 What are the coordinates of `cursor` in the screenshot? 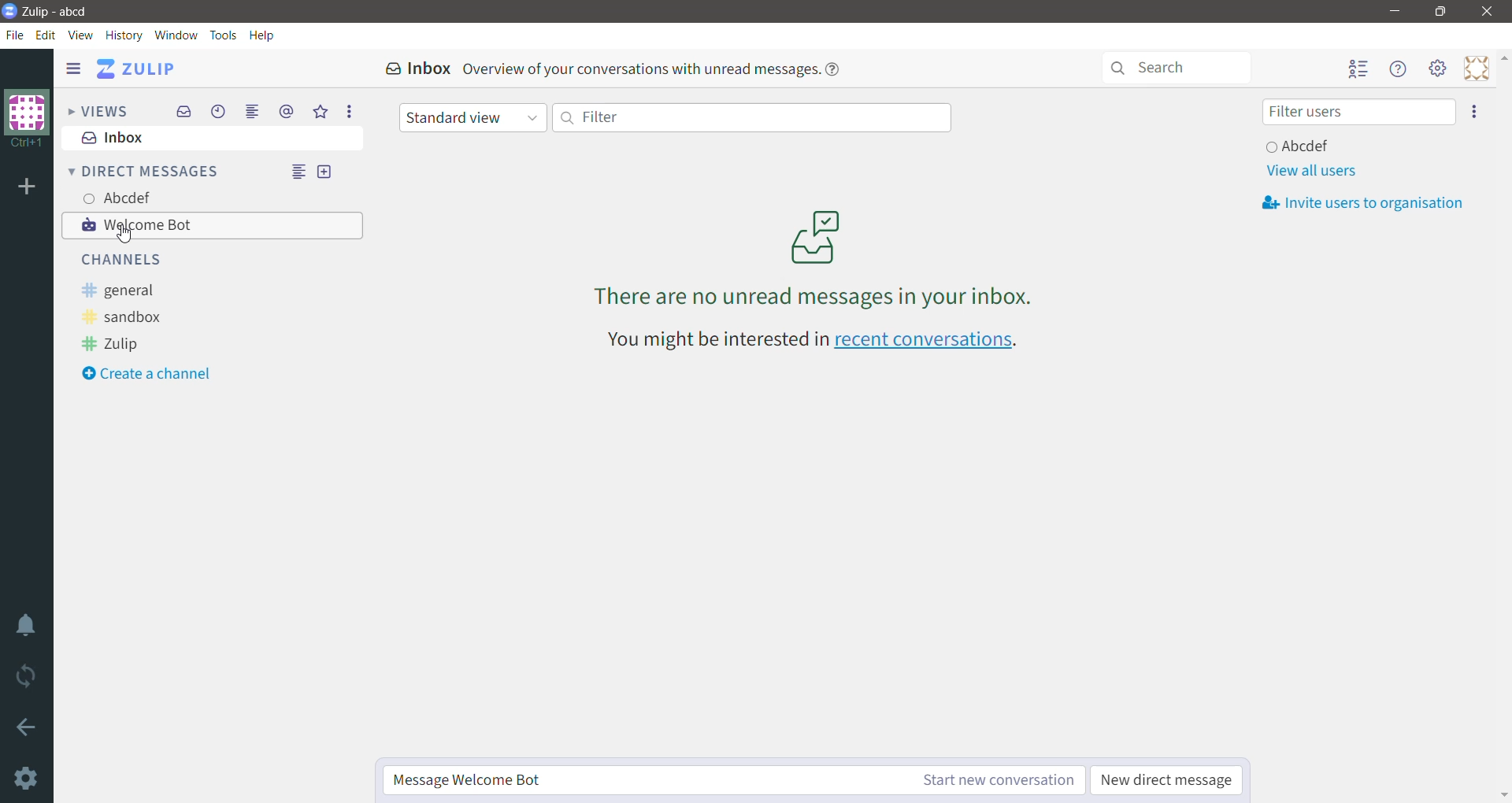 It's located at (128, 235).